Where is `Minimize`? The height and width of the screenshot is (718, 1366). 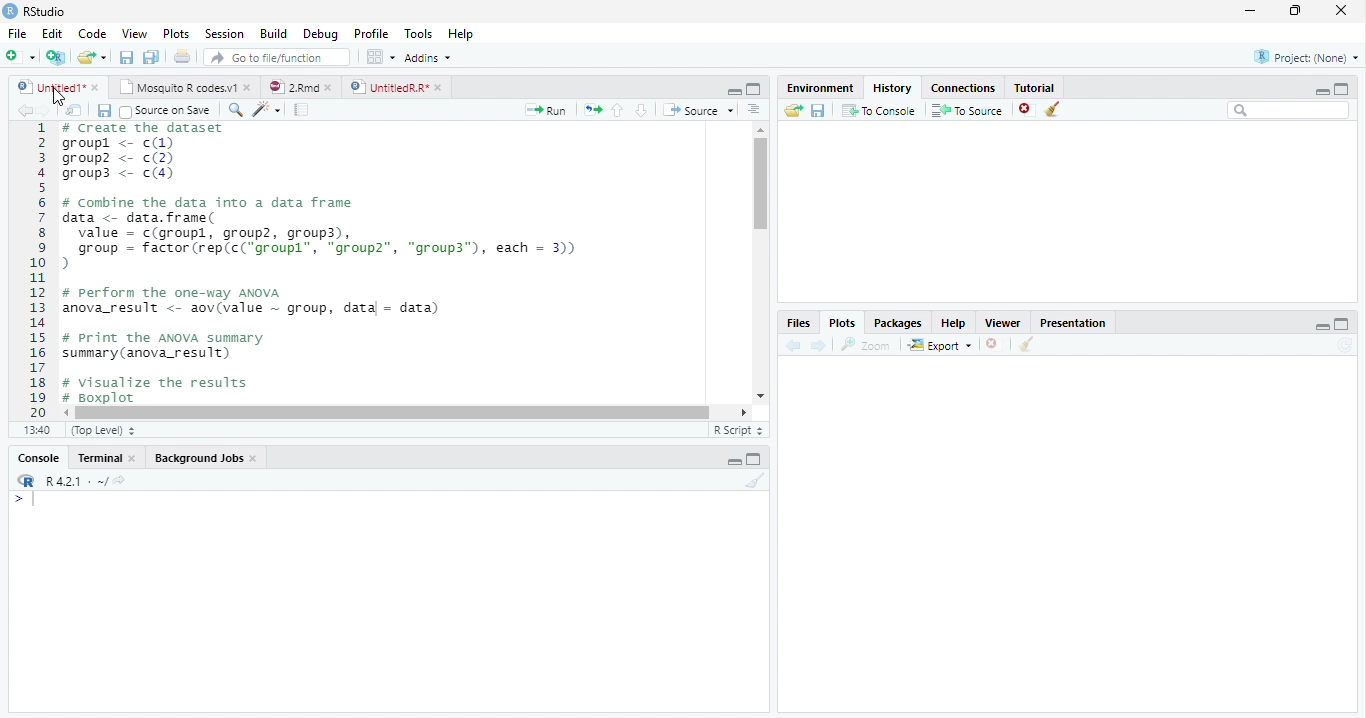 Minimize is located at coordinates (731, 90).